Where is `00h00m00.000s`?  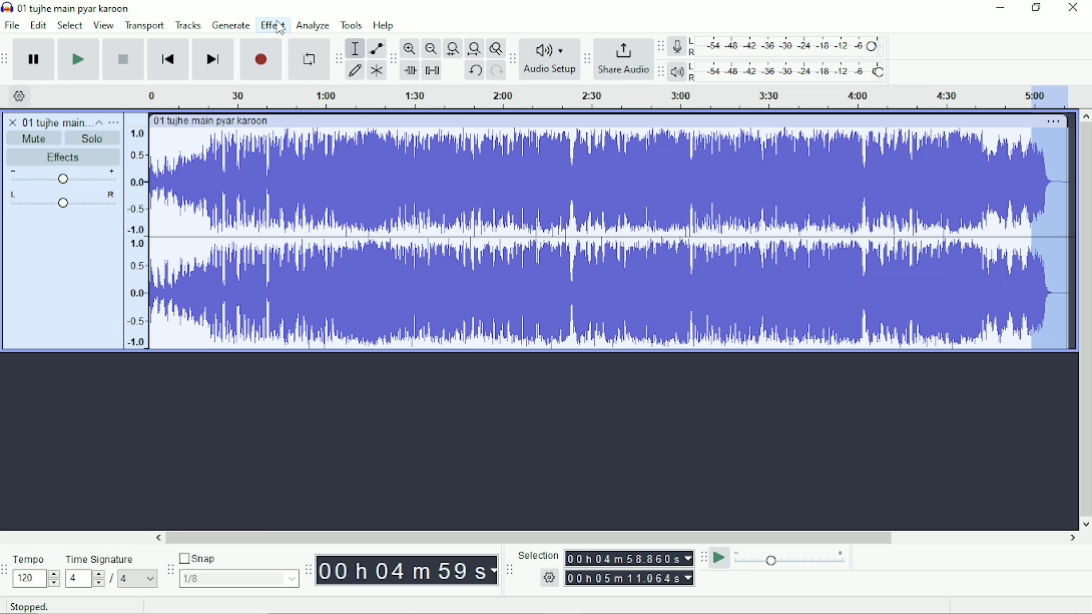
00h00m00.000s is located at coordinates (630, 578).